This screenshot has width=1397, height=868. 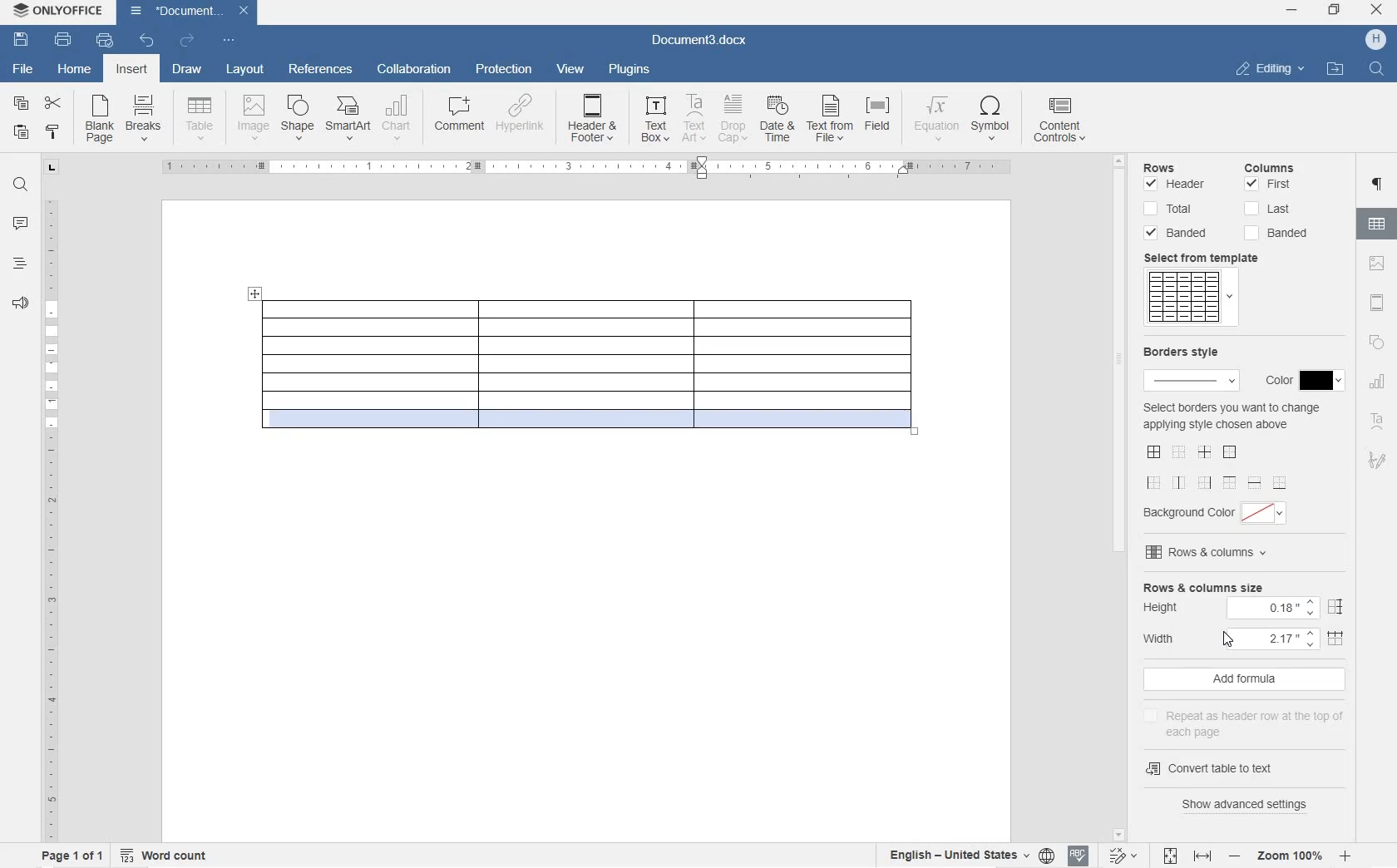 What do you see at coordinates (1268, 209) in the screenshot?
I see `Last` at bounding box center [1268, 209].